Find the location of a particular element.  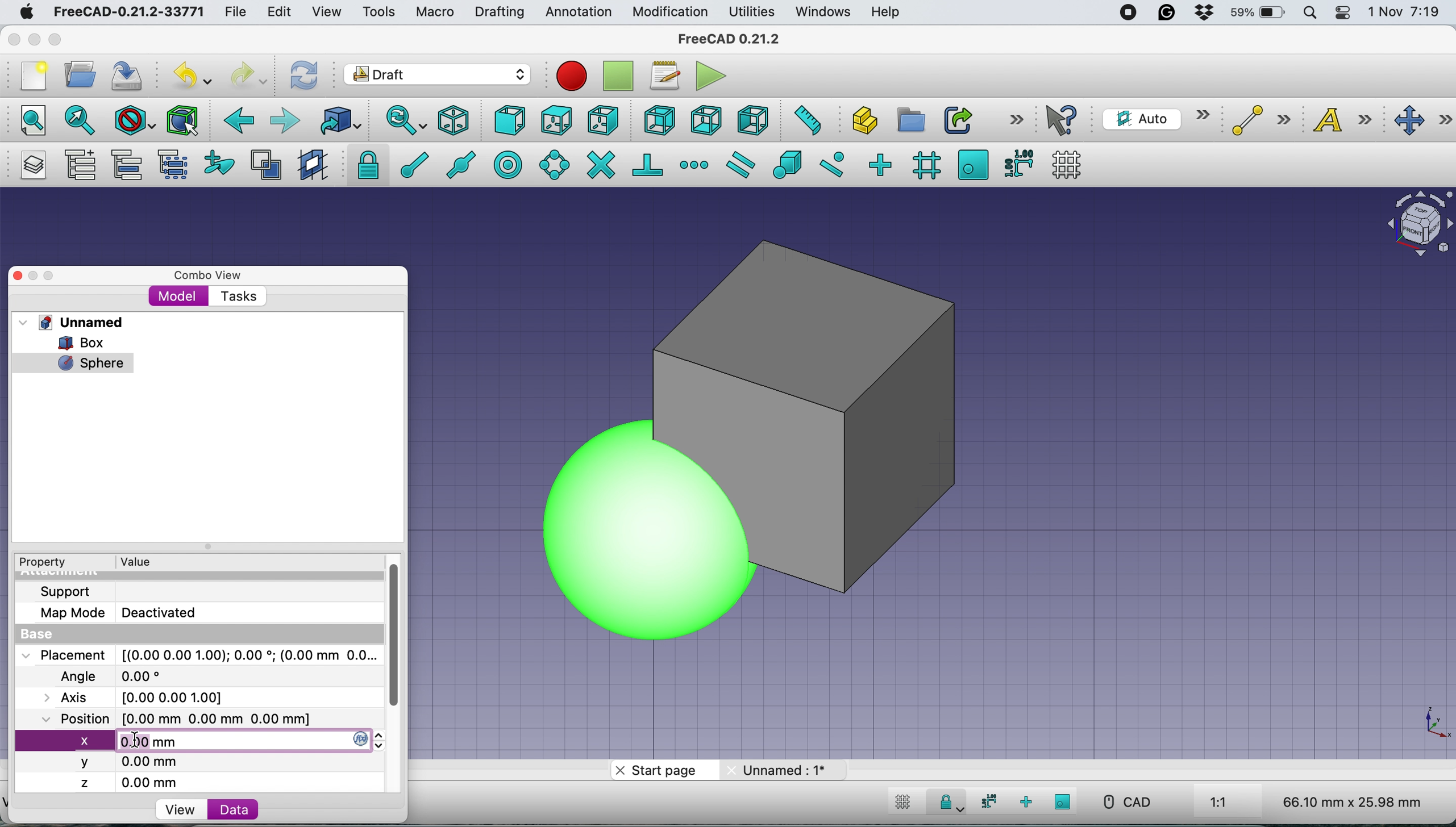

maximise is located at coordinates (60, 41).